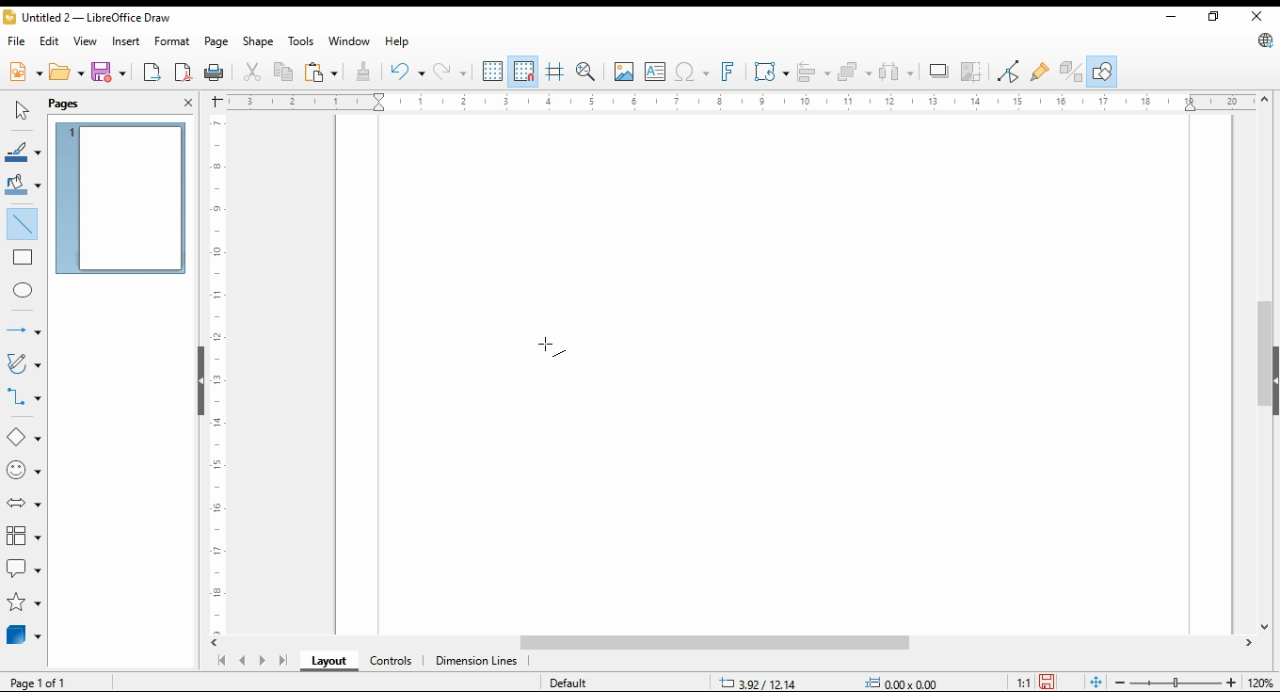 The height and width of the screenshot is (692, 1280). What do you see at coordinates (852, 70) in the screenshot?
I see `arrange` at bounding box center [852, 70].